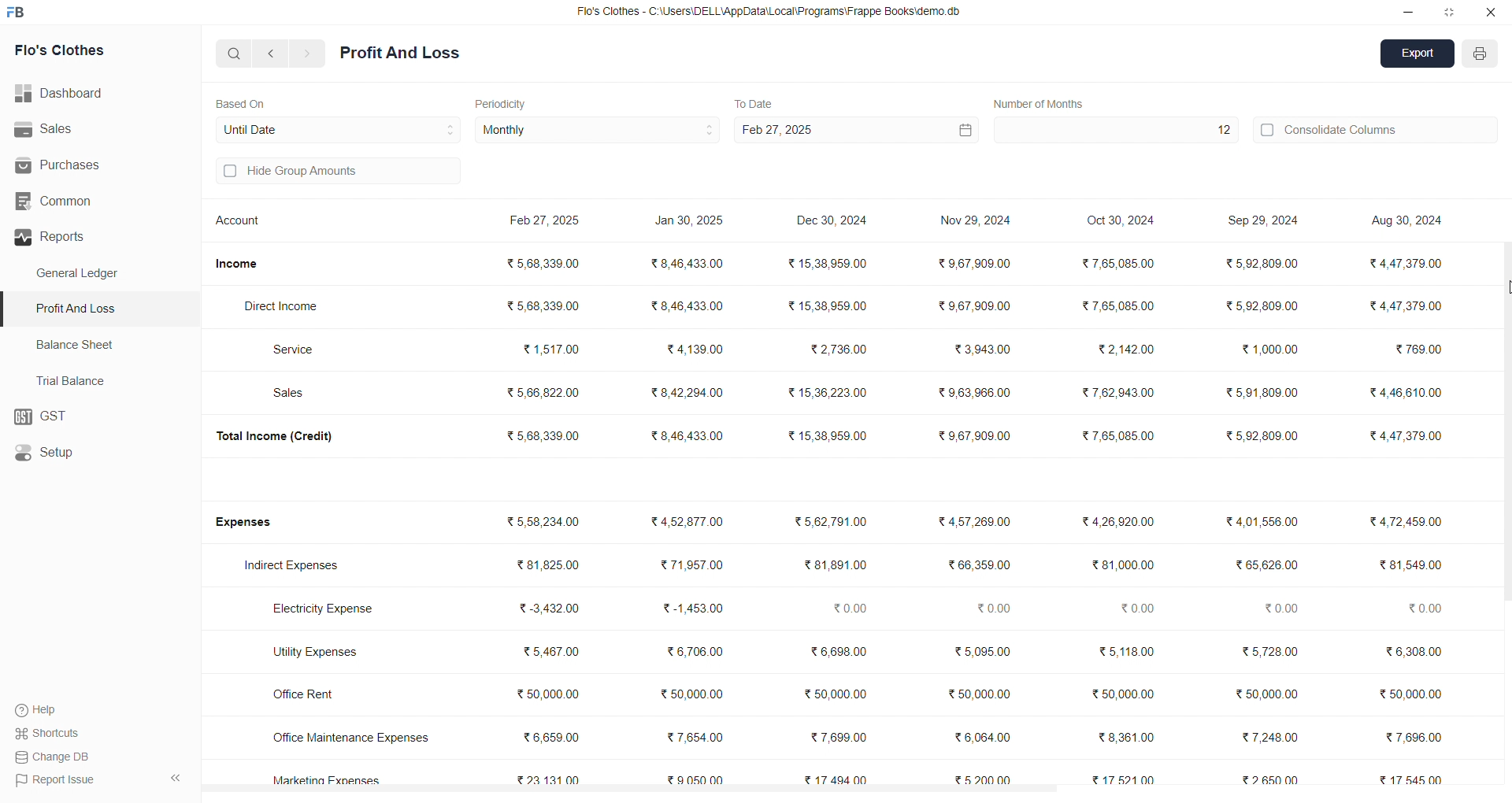 This screenshot has width=1512, height=803. I want to click on Office Rent, so click(317, 695).